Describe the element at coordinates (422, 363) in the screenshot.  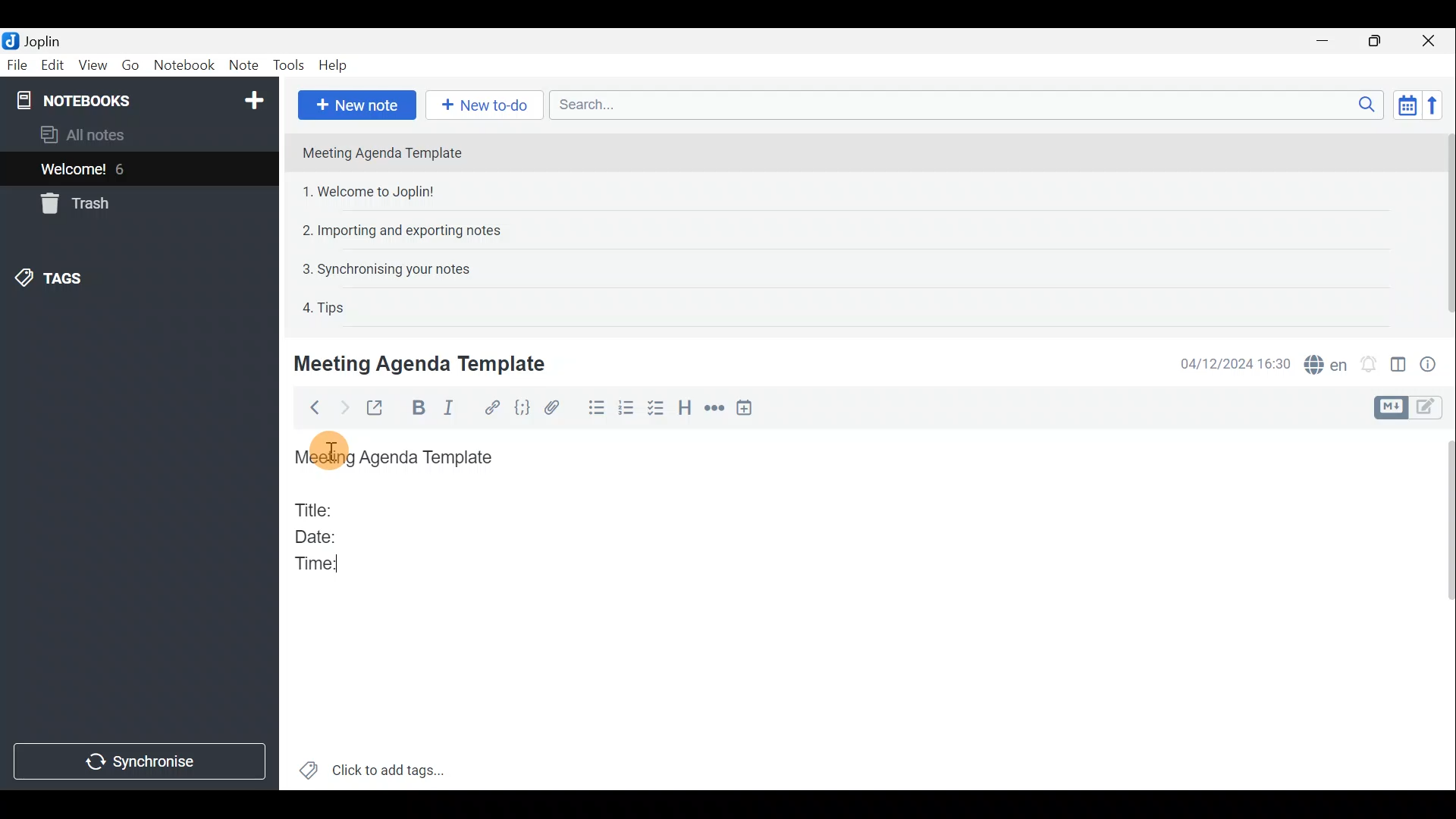
I see `Meeting Agenda Template` at that location.